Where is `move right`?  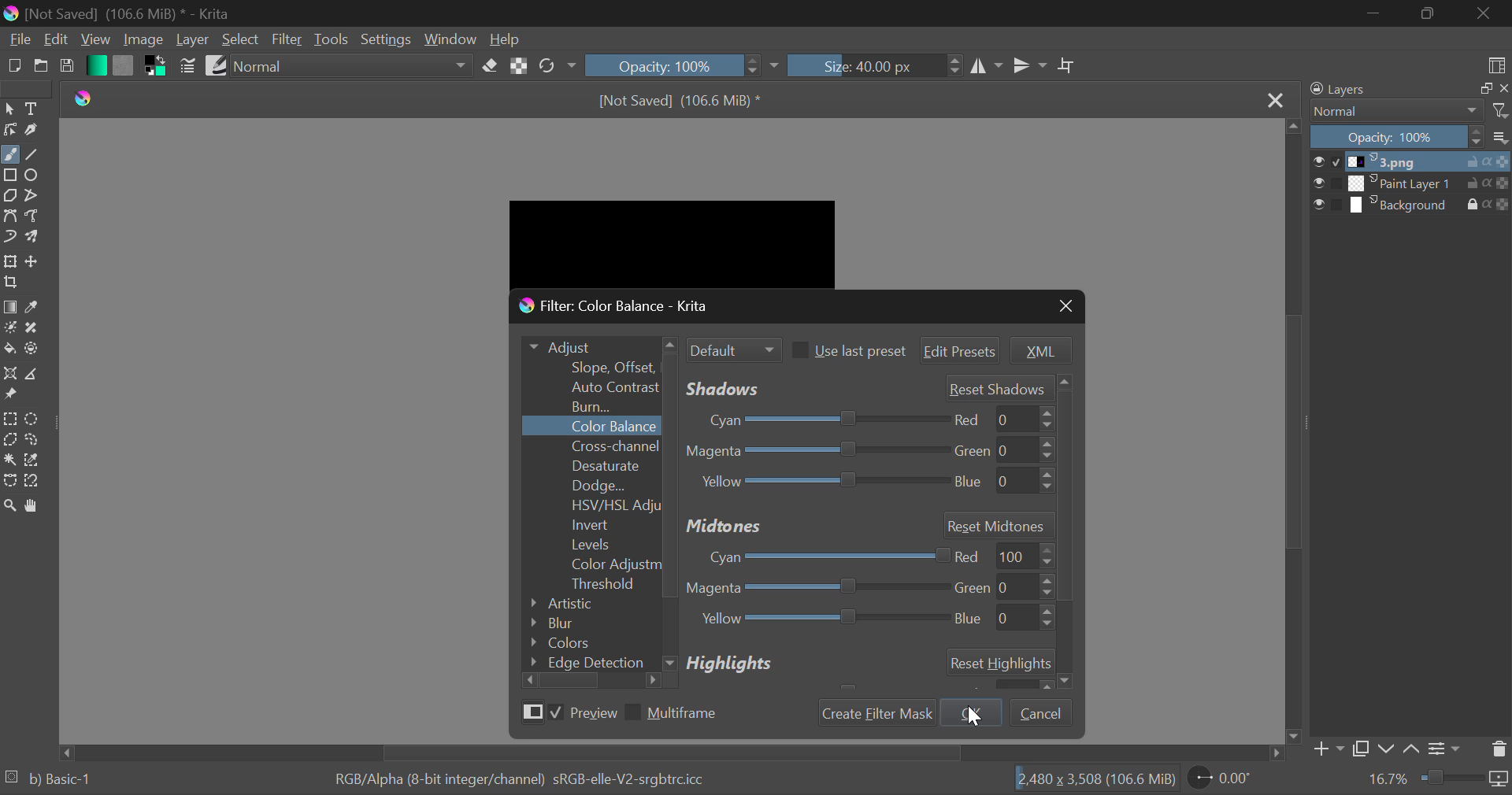 move right is located at coordinates (66, 754).